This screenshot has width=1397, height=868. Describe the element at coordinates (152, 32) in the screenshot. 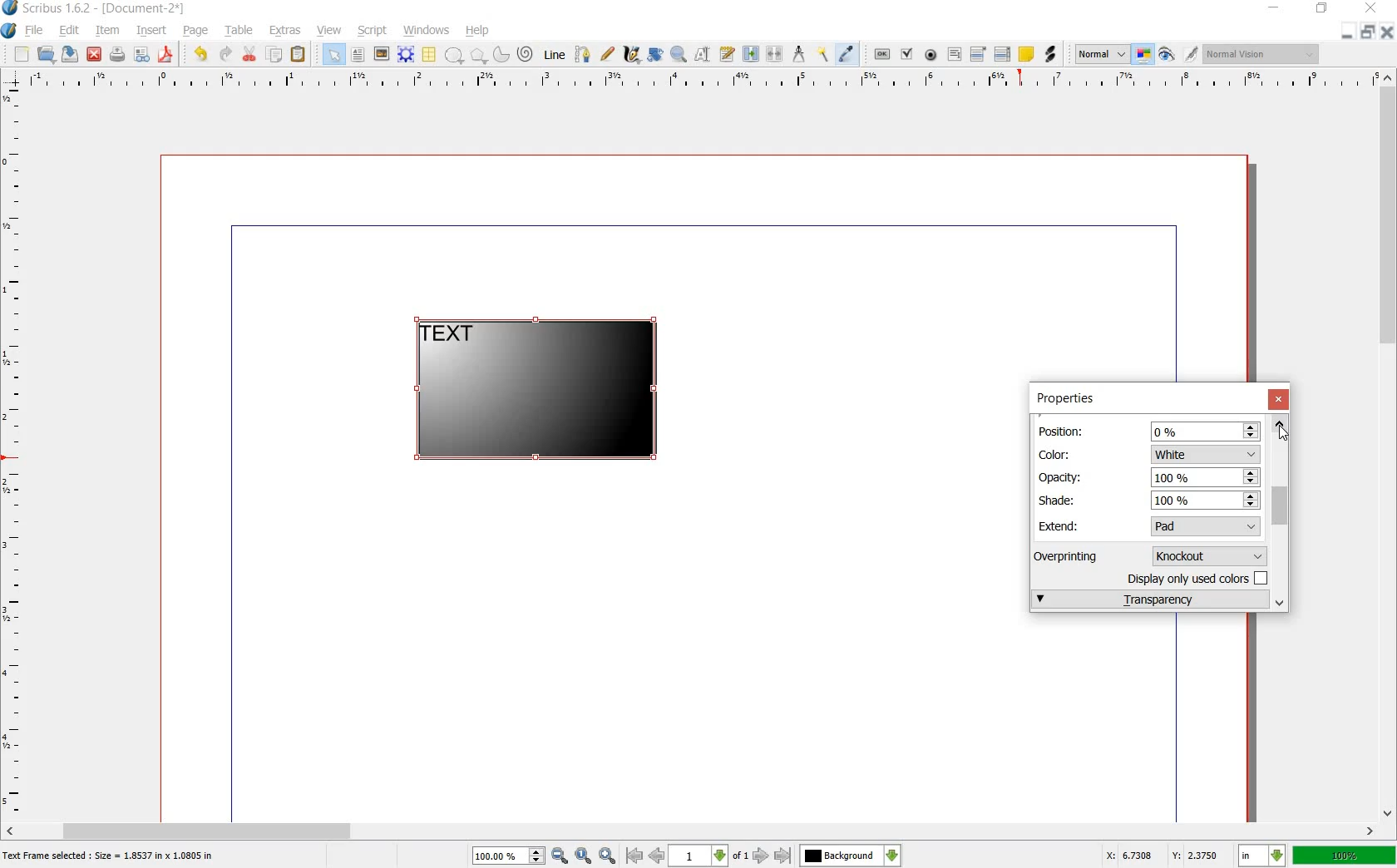

I see `insert` at that location.